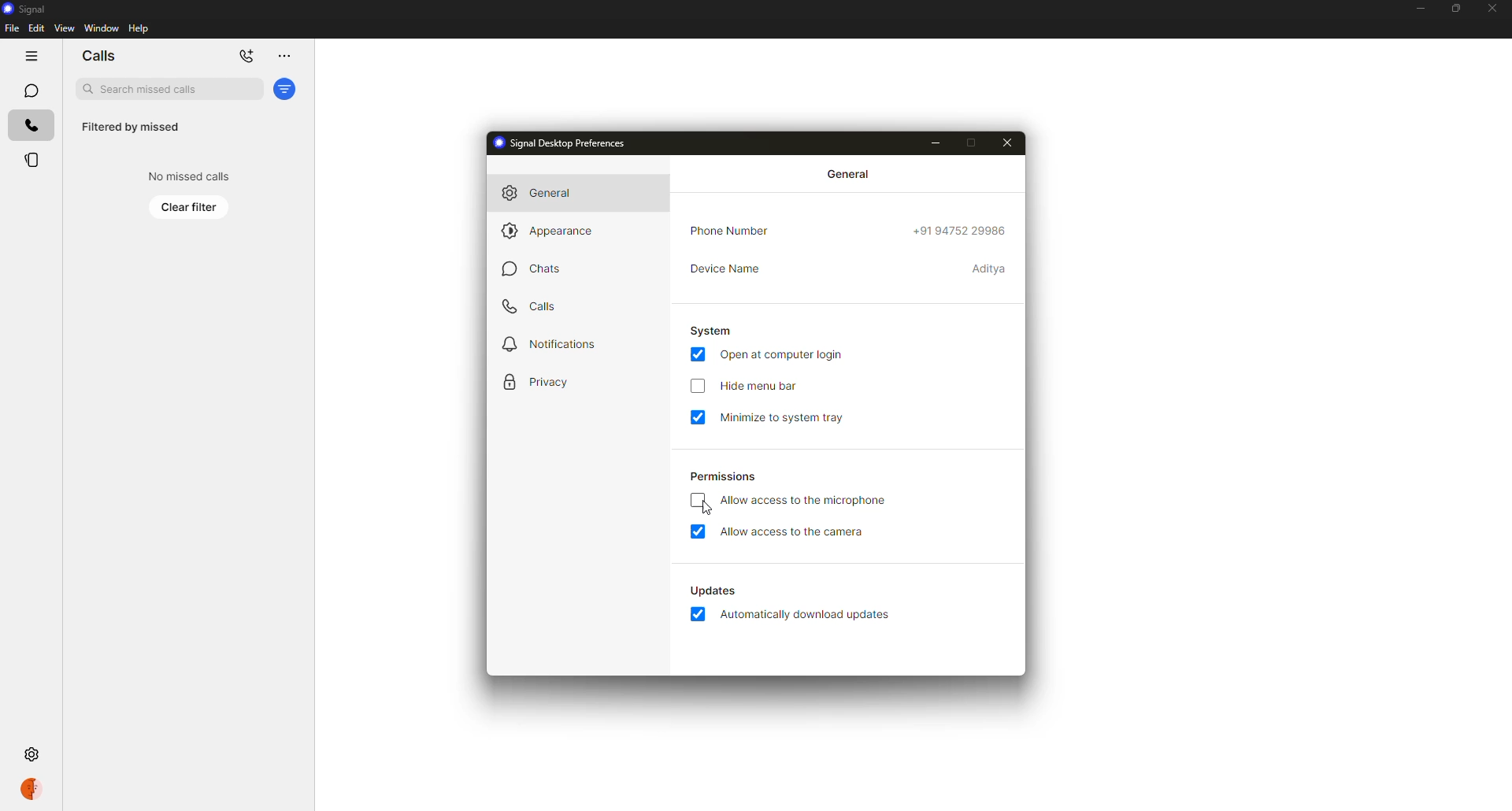  Describe the element at coordinates (698, 354) in the screenshot. I see `enabled` at that location.